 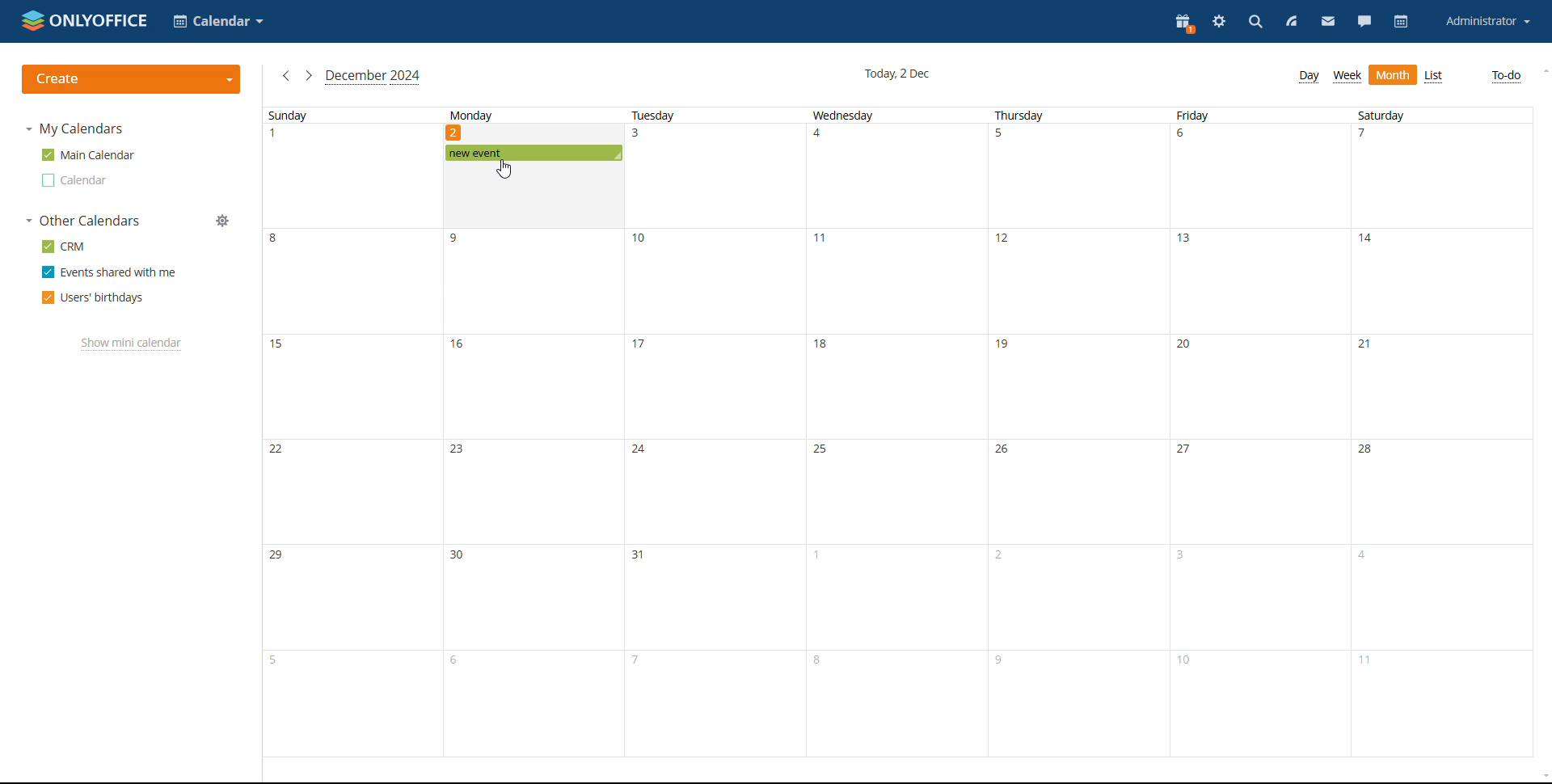 I want to click on create, so click(x=131, y=80).